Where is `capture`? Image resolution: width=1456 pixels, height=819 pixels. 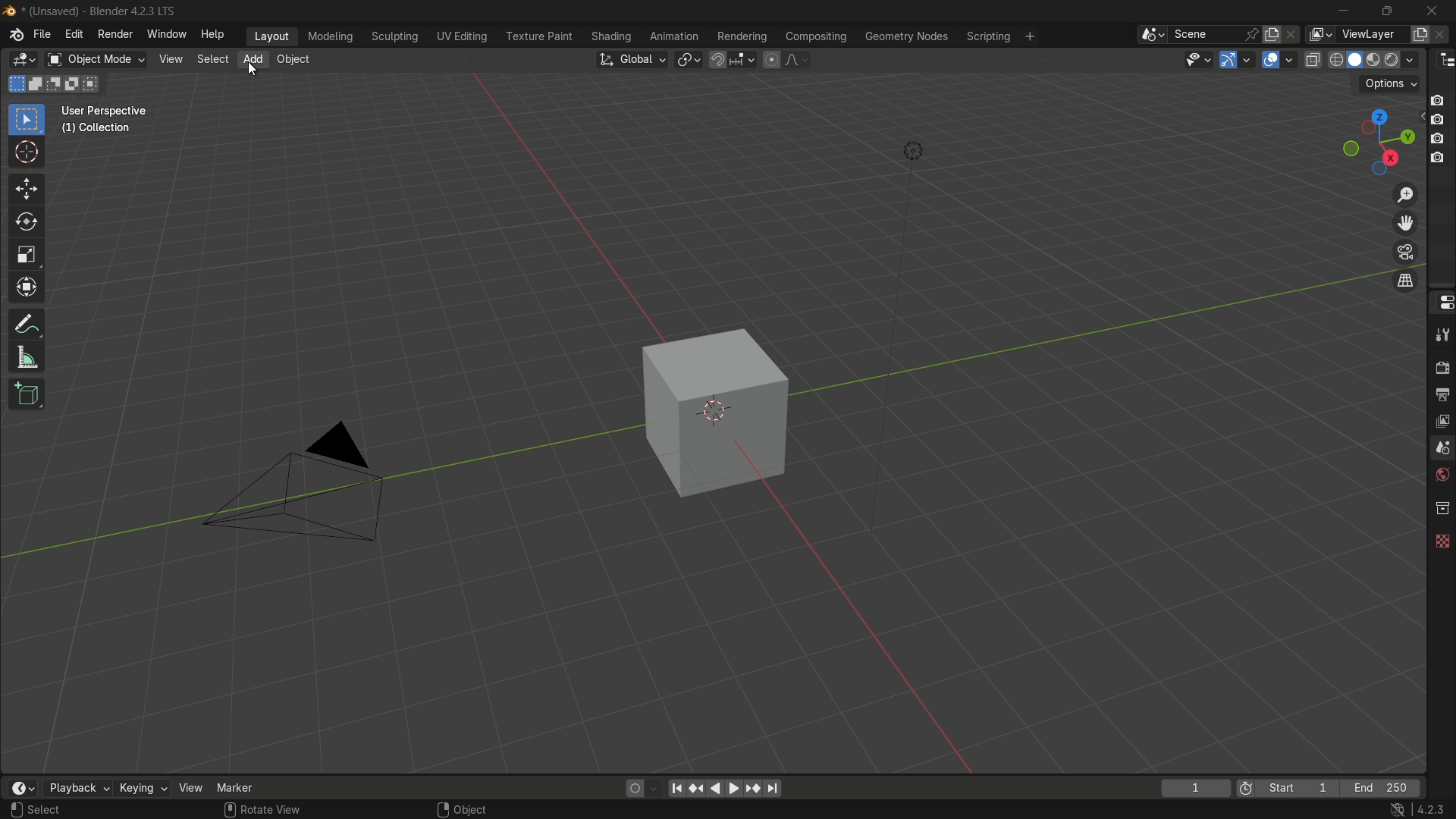 capture is located at coordinates (1439, 139).